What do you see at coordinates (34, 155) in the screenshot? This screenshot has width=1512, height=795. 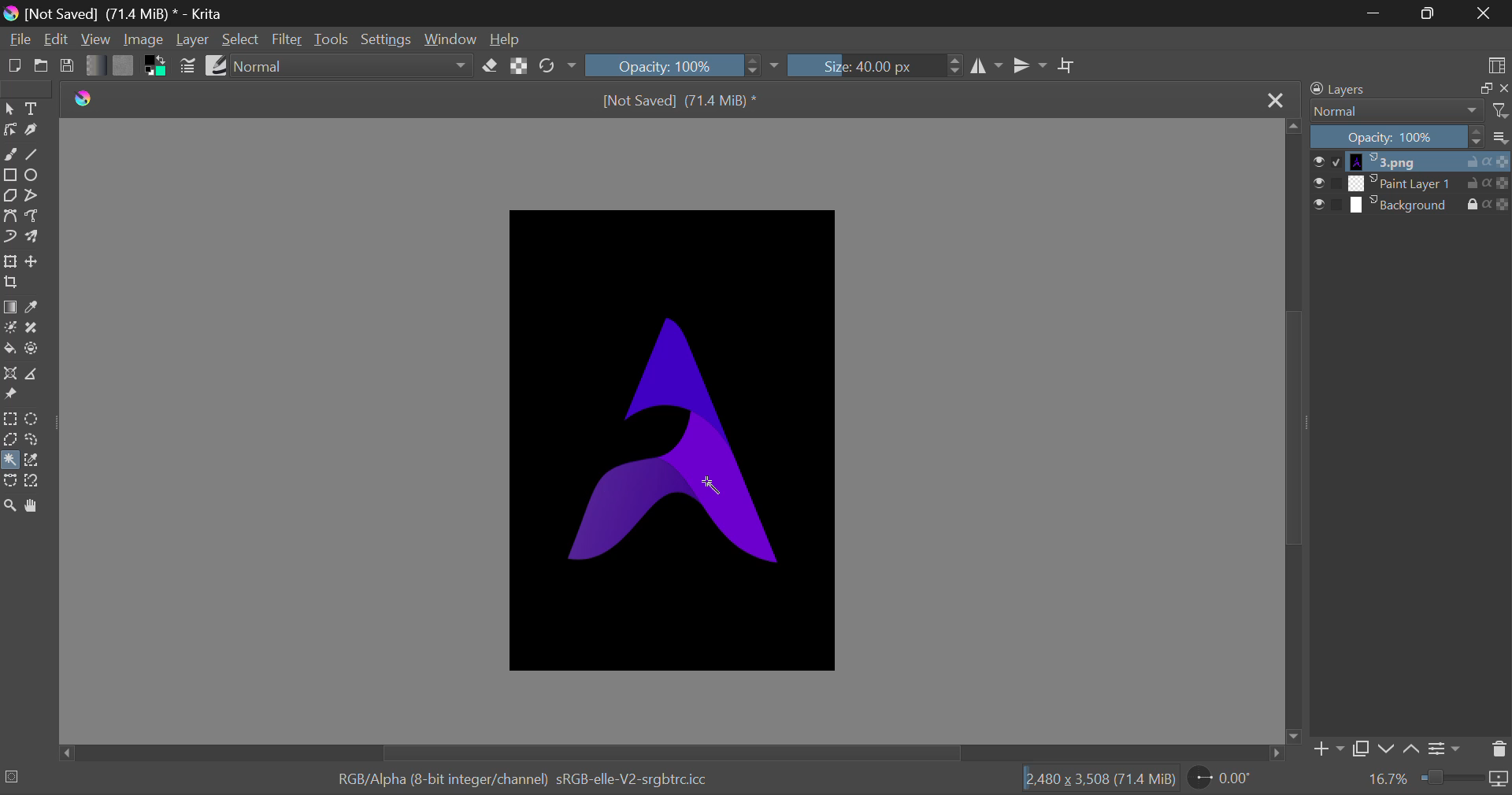 I see `Line` at bounding box center [34, 155].